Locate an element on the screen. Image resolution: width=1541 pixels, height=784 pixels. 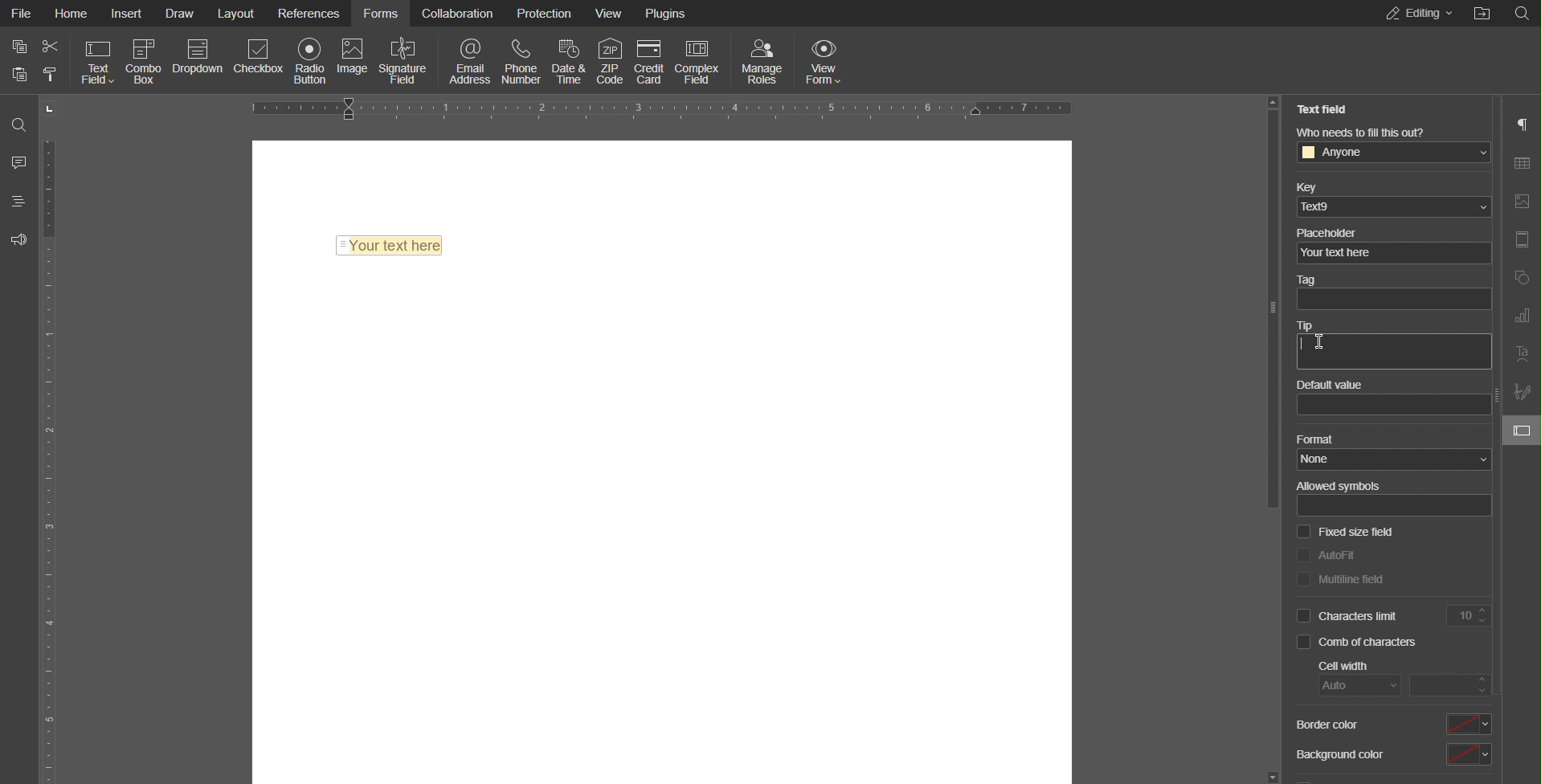
Phone Number is located at coordinates (522, 59).